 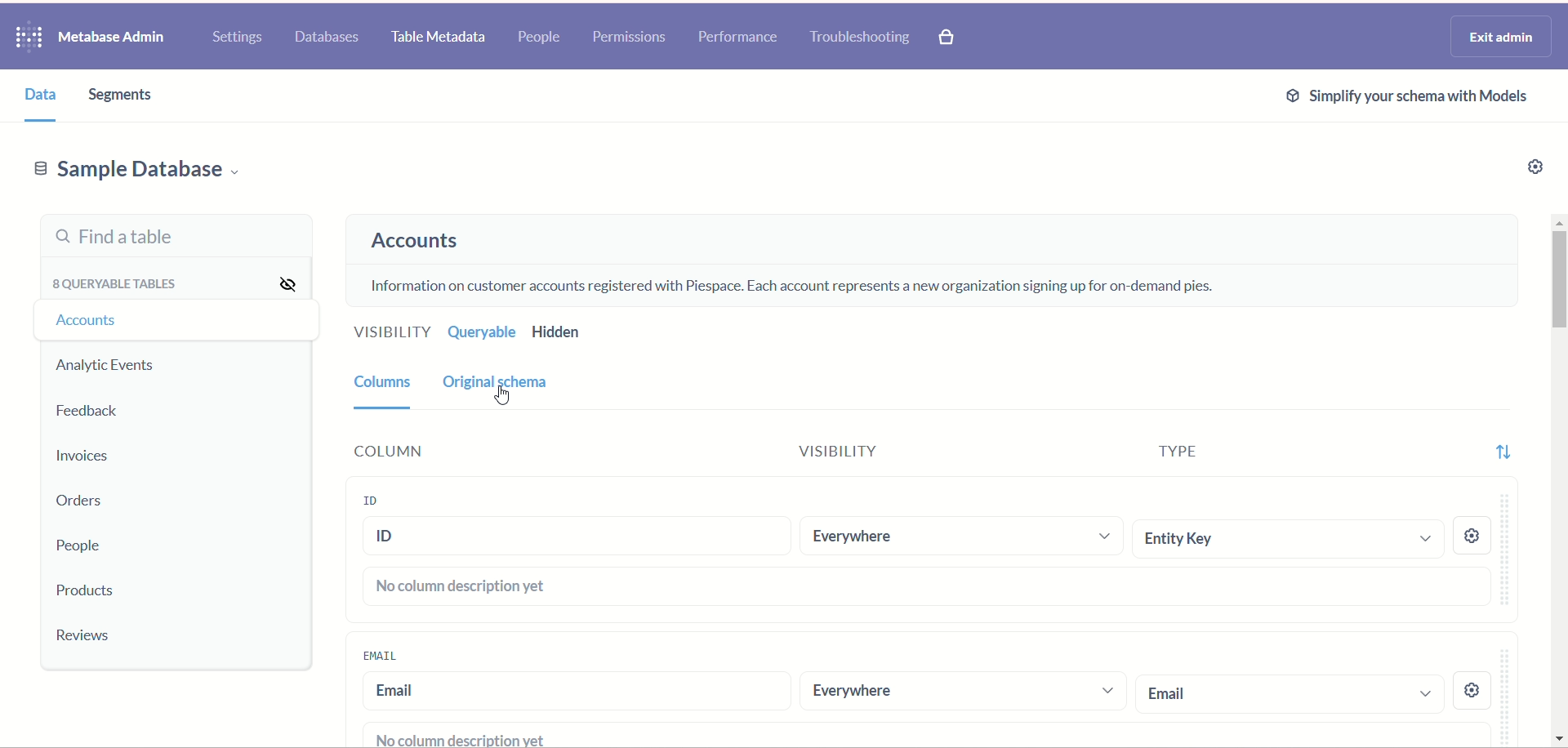 I want to click on text, so click(x=786, y=290).